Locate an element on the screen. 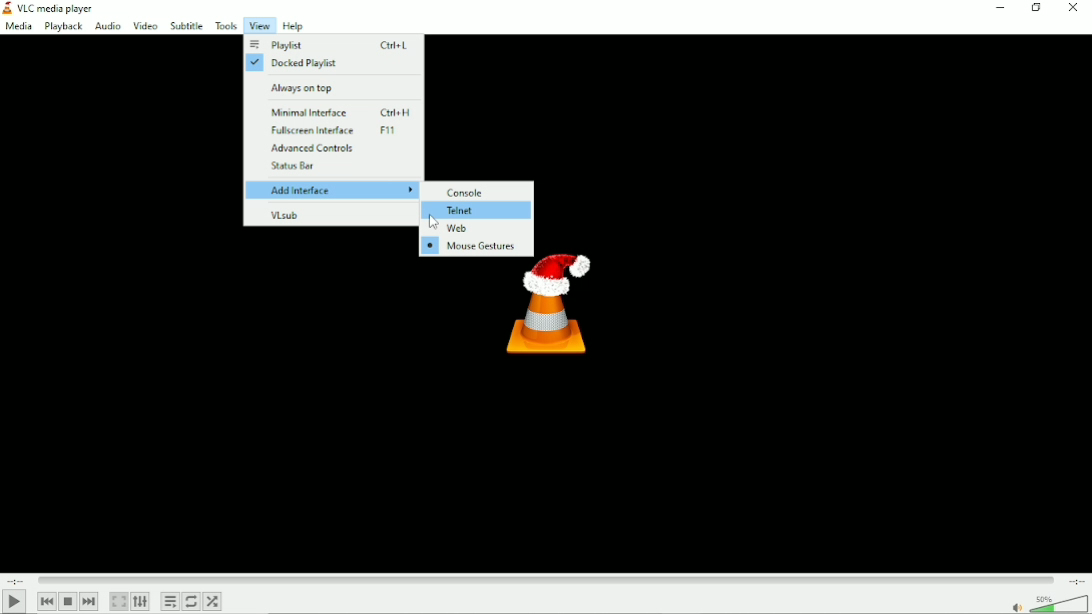  Total duration is located at coordinates (1076, 580).